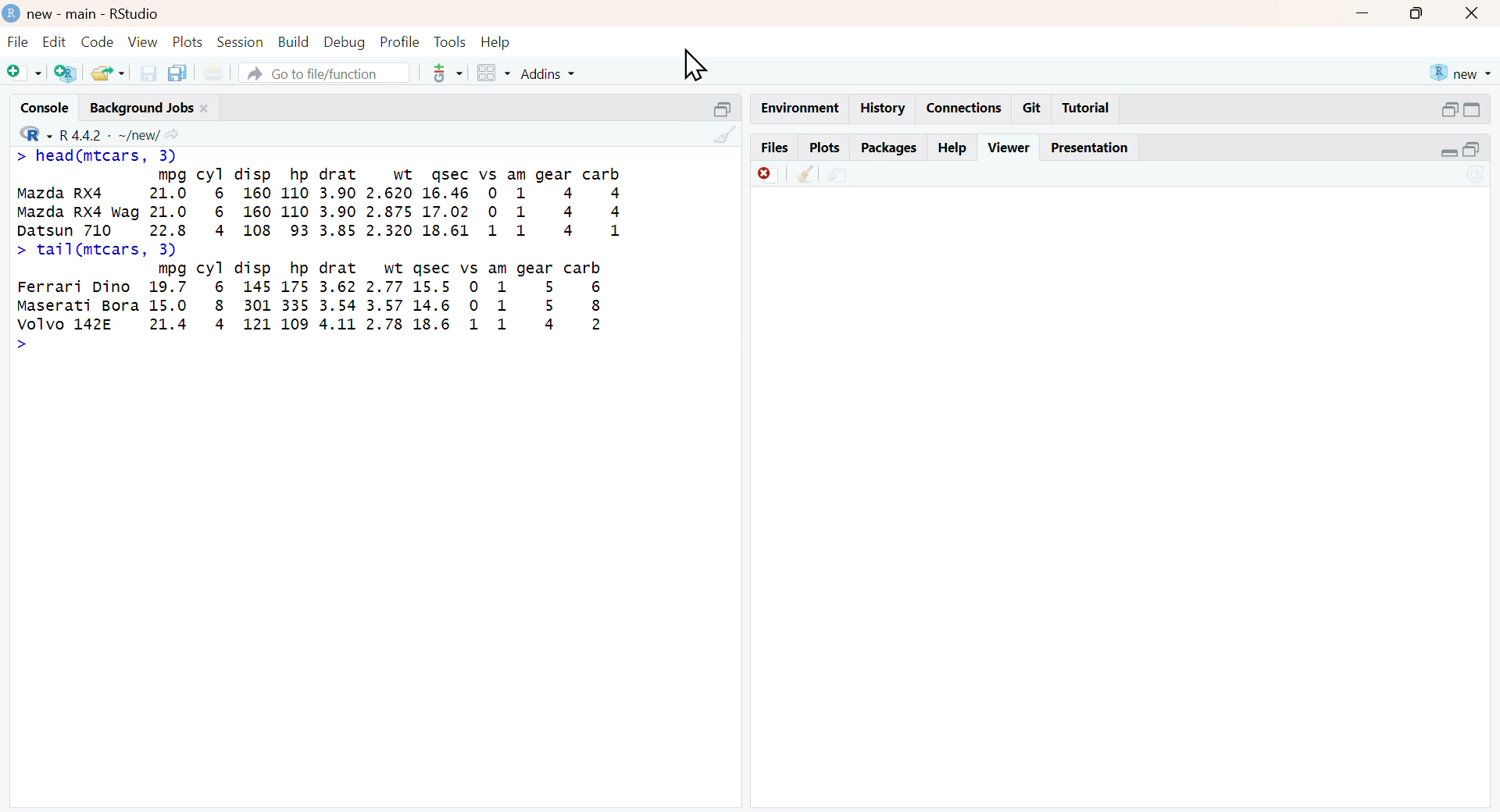 This screenshot has height=812, width=1500. What do you see at coordinates (1033, 107) in the screenshot?
I see `Git` at bounding box center [1033, 107].